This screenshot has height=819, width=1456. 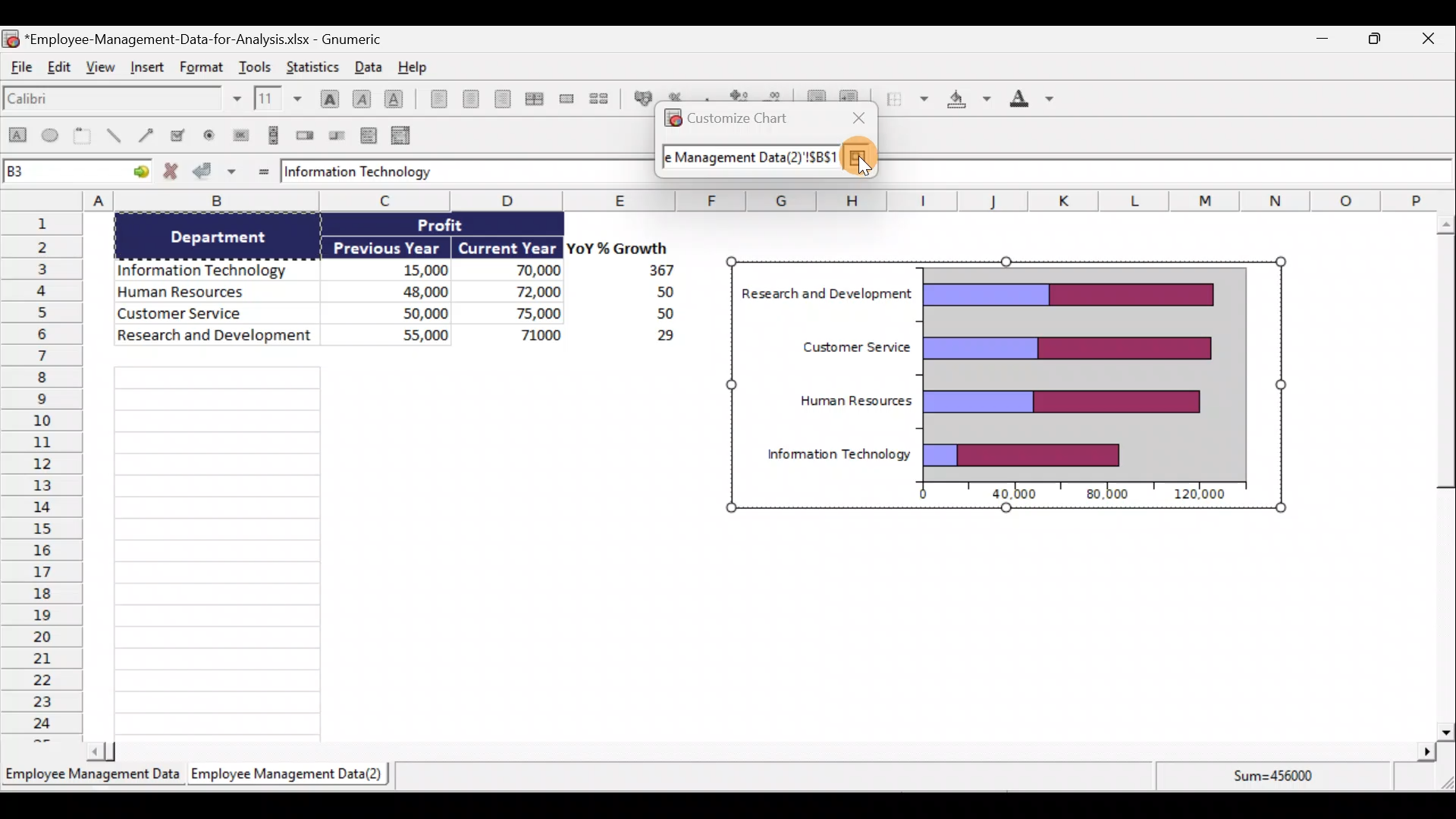 I want to click on Create a line object, so click(x=118, y=136).